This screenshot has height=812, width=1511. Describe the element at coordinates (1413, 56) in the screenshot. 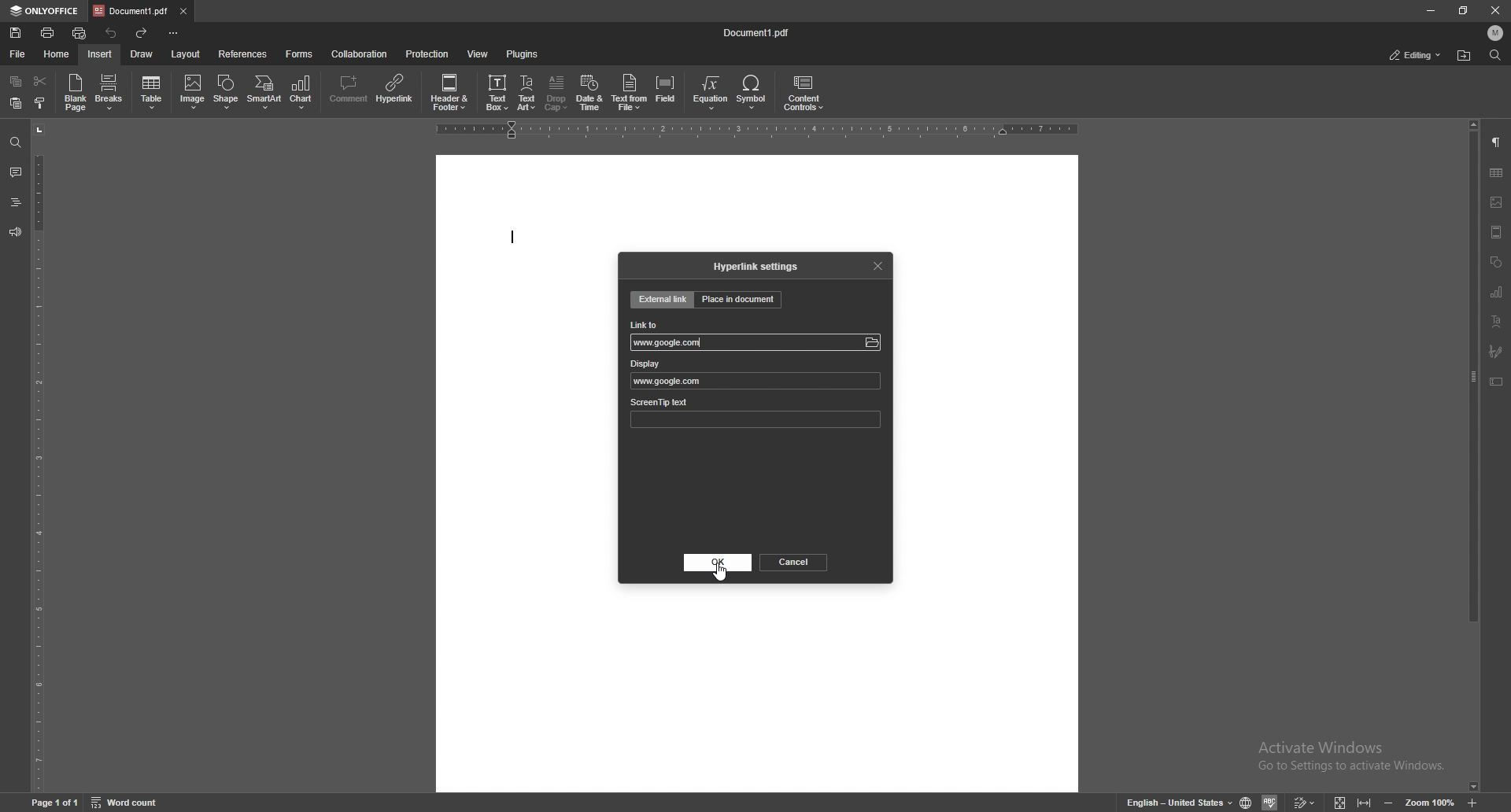

I see `editing` at that location.